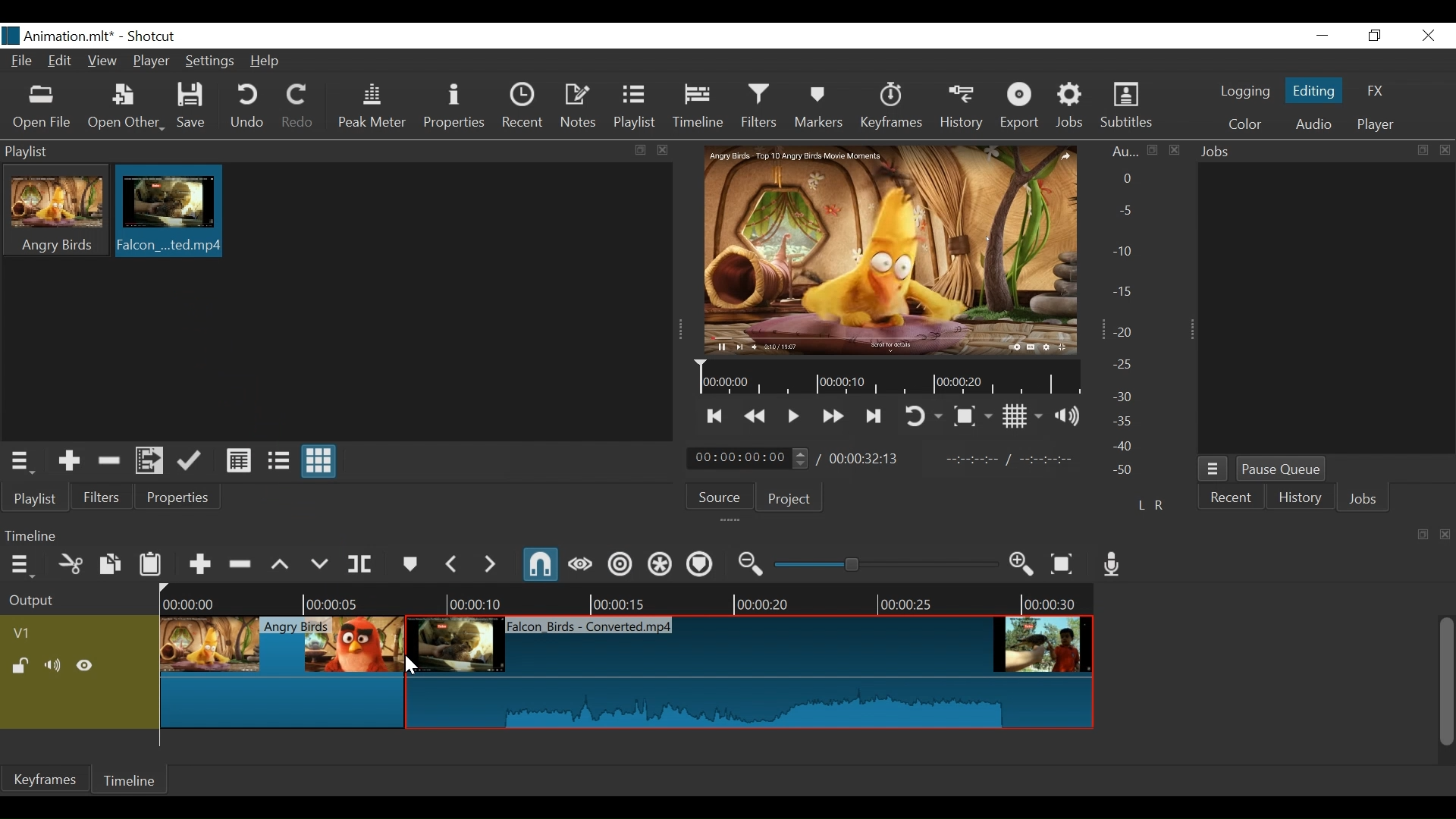 This screenshot has height=819, width=1456. What do you see at coordinates (579, 106) in the screenshot?
I see `Notes` at bounding box center [579, 106].